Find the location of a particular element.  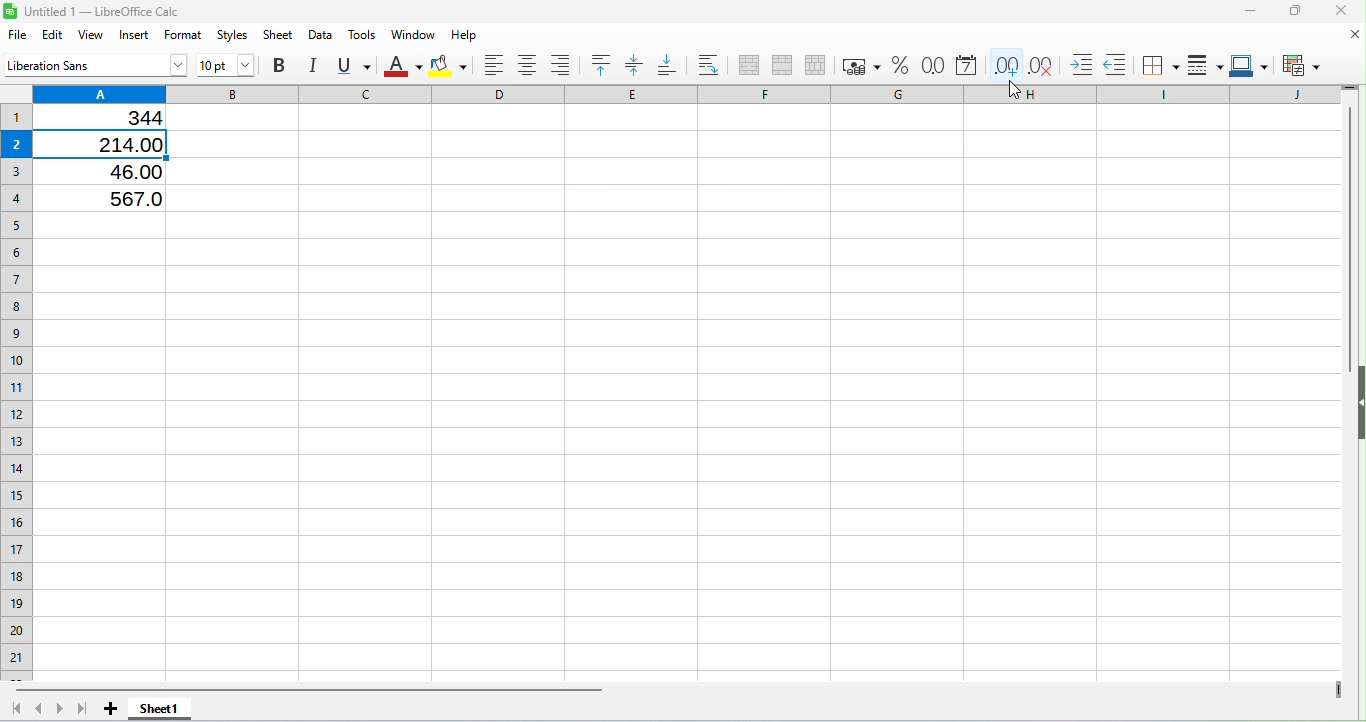

Scroll to next sheet is located at coordinates (61, 708).